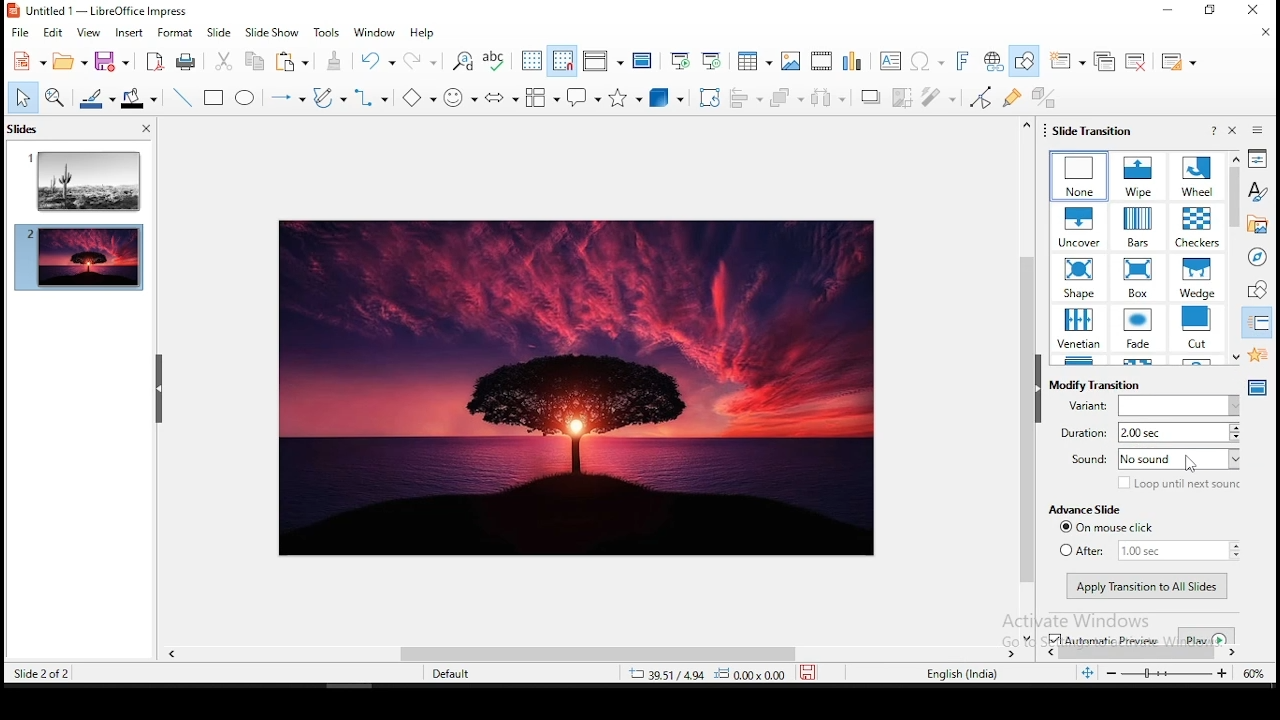  Describe the element at coordinates (1094, 131) in the screenshot. I see `slide transition` at that location.